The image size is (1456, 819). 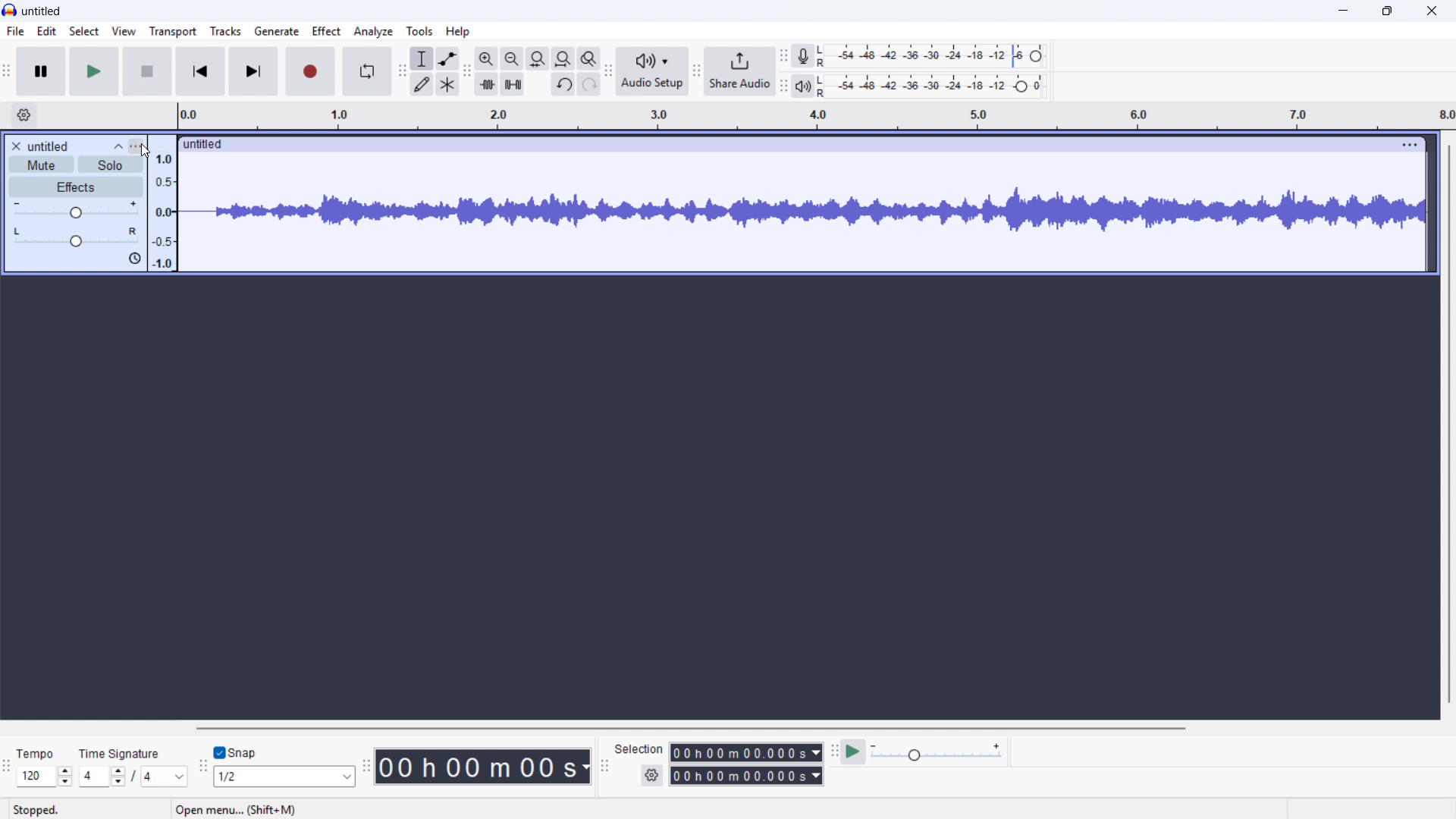 What do you see at coordinates (36, 810) in the screenshot?
I see `Status: stopped` at bounding box center [36, 810].